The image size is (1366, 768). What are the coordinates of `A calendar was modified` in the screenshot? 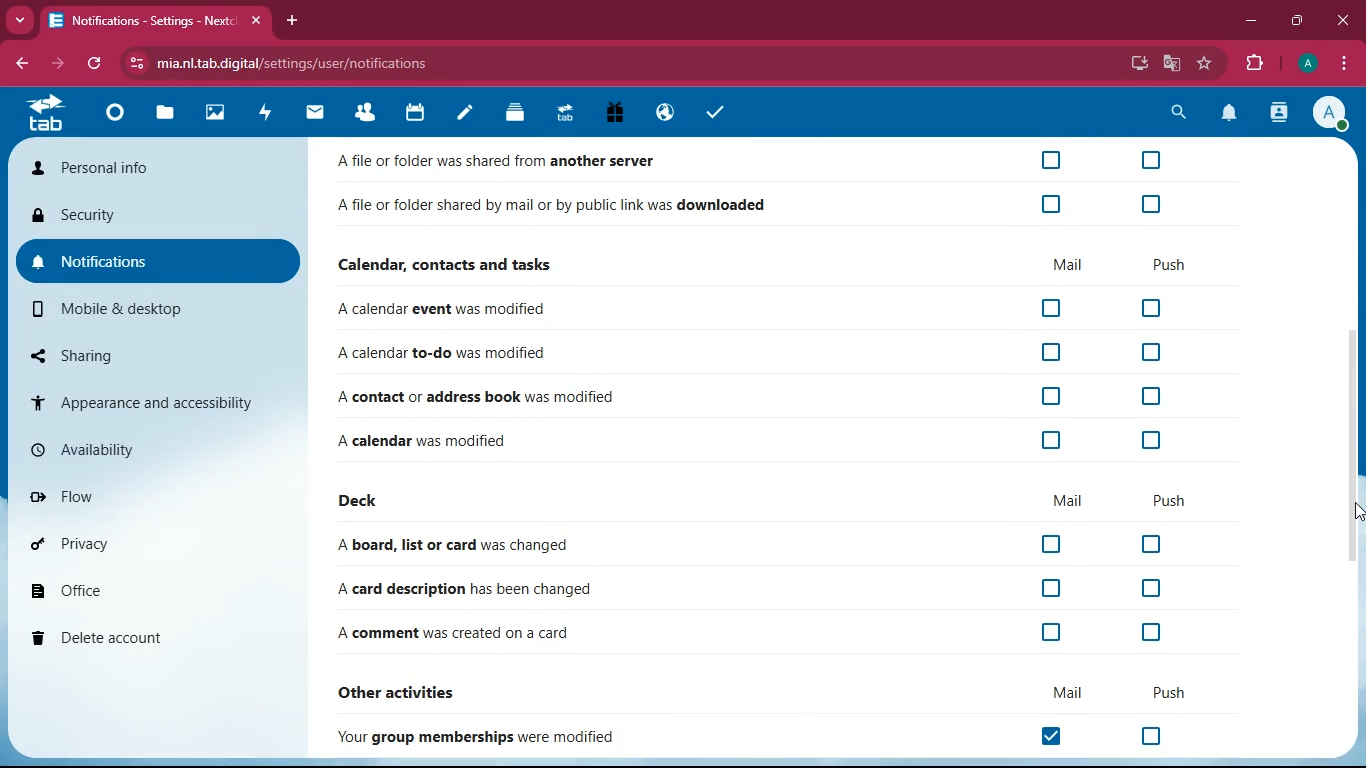 It's located at (445, 438).